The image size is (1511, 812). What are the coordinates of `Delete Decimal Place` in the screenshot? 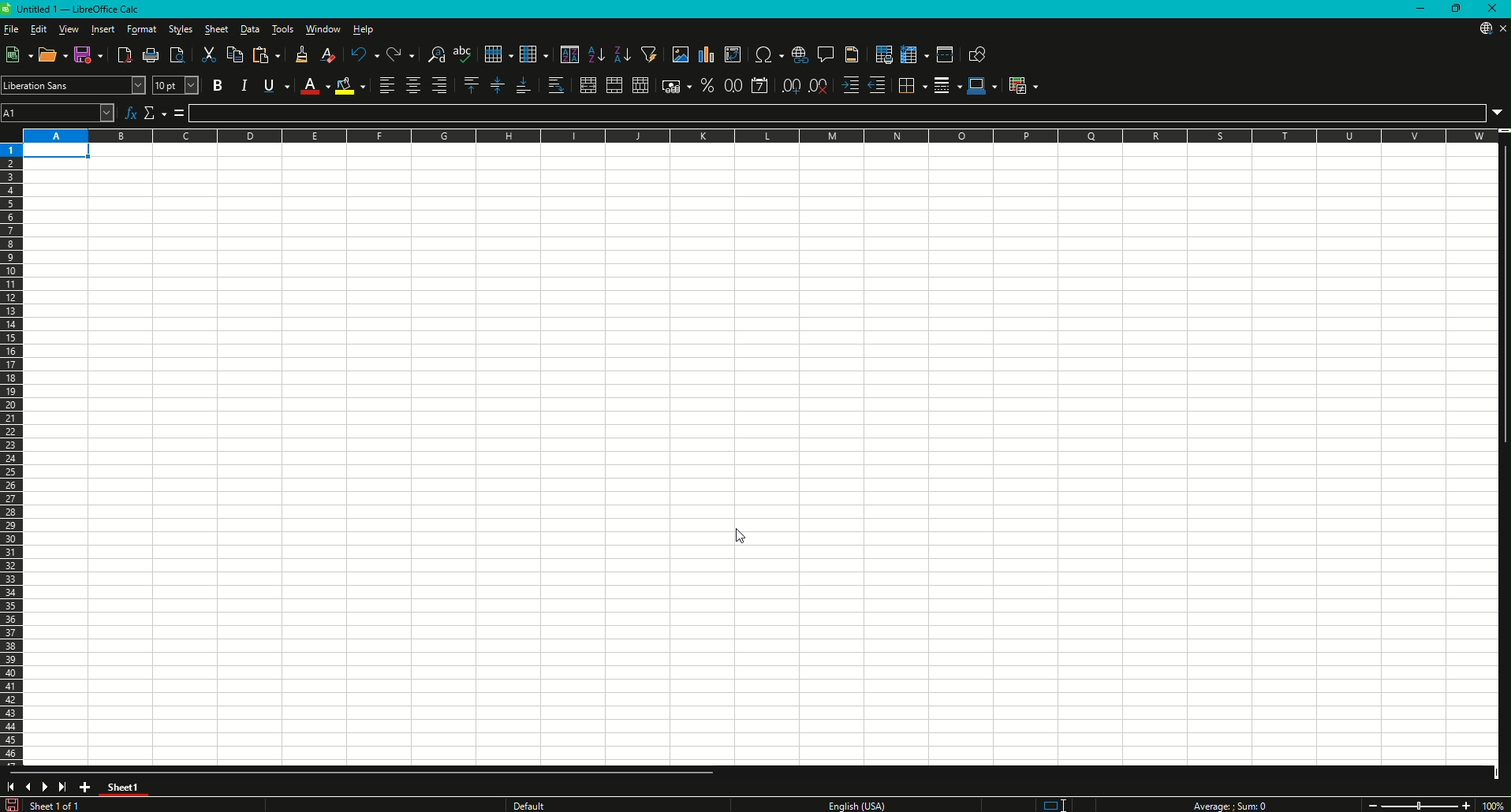 It's located at (819, 85).